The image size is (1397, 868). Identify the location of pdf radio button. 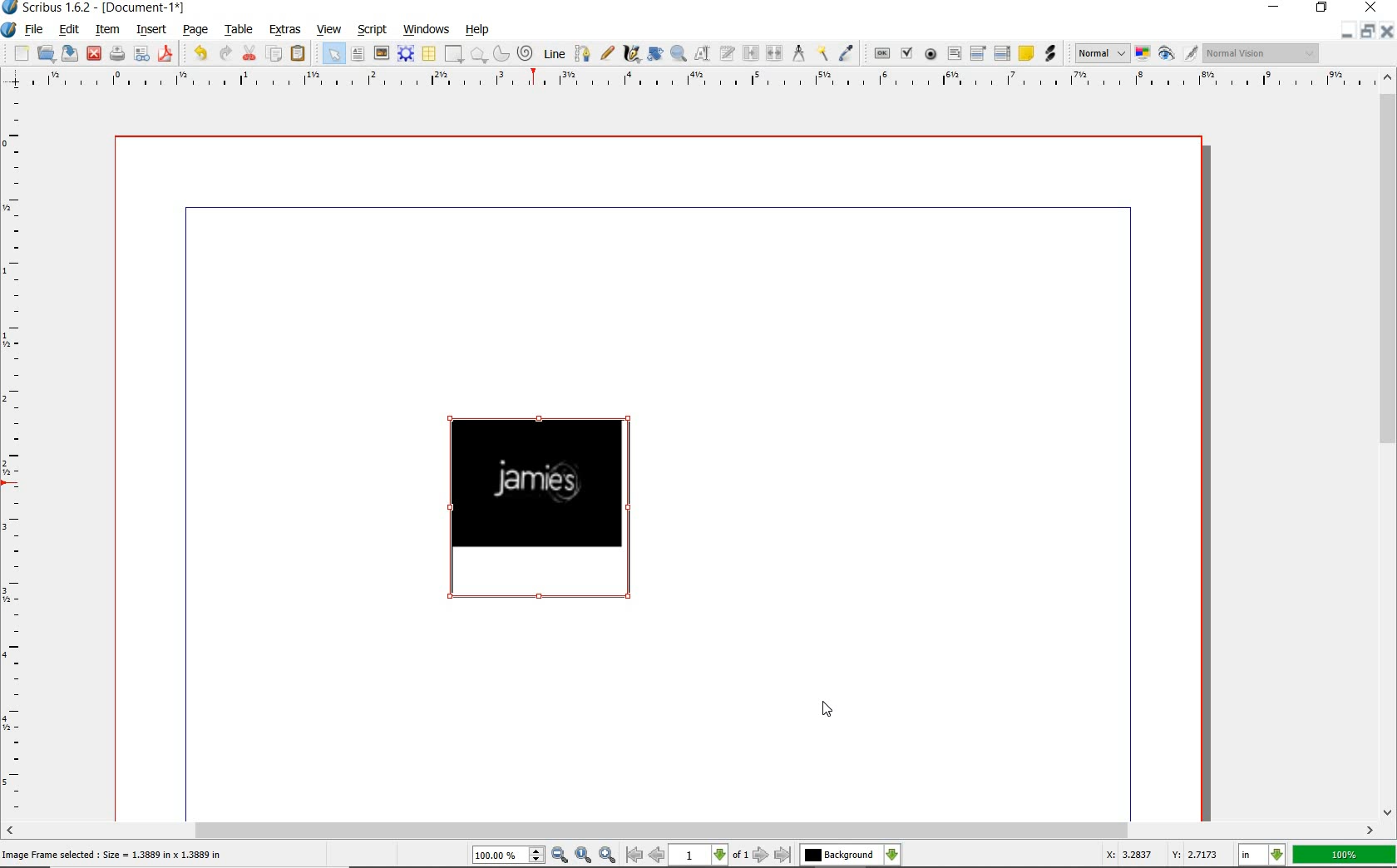
(932, 54).